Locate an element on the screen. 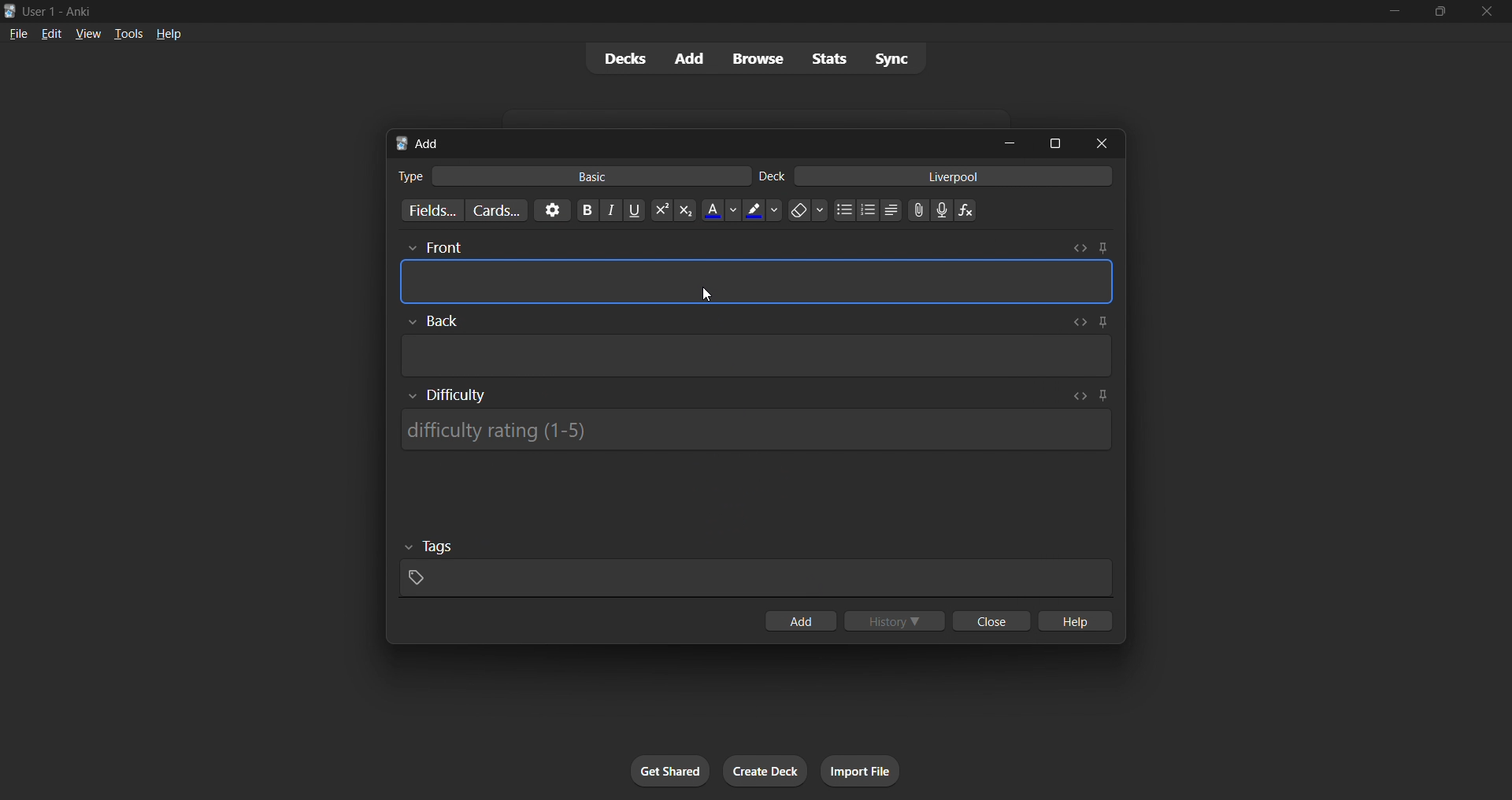 The height and width of the screenshot is (800, 1512). Anki logo is located at coordinates (10, 11).